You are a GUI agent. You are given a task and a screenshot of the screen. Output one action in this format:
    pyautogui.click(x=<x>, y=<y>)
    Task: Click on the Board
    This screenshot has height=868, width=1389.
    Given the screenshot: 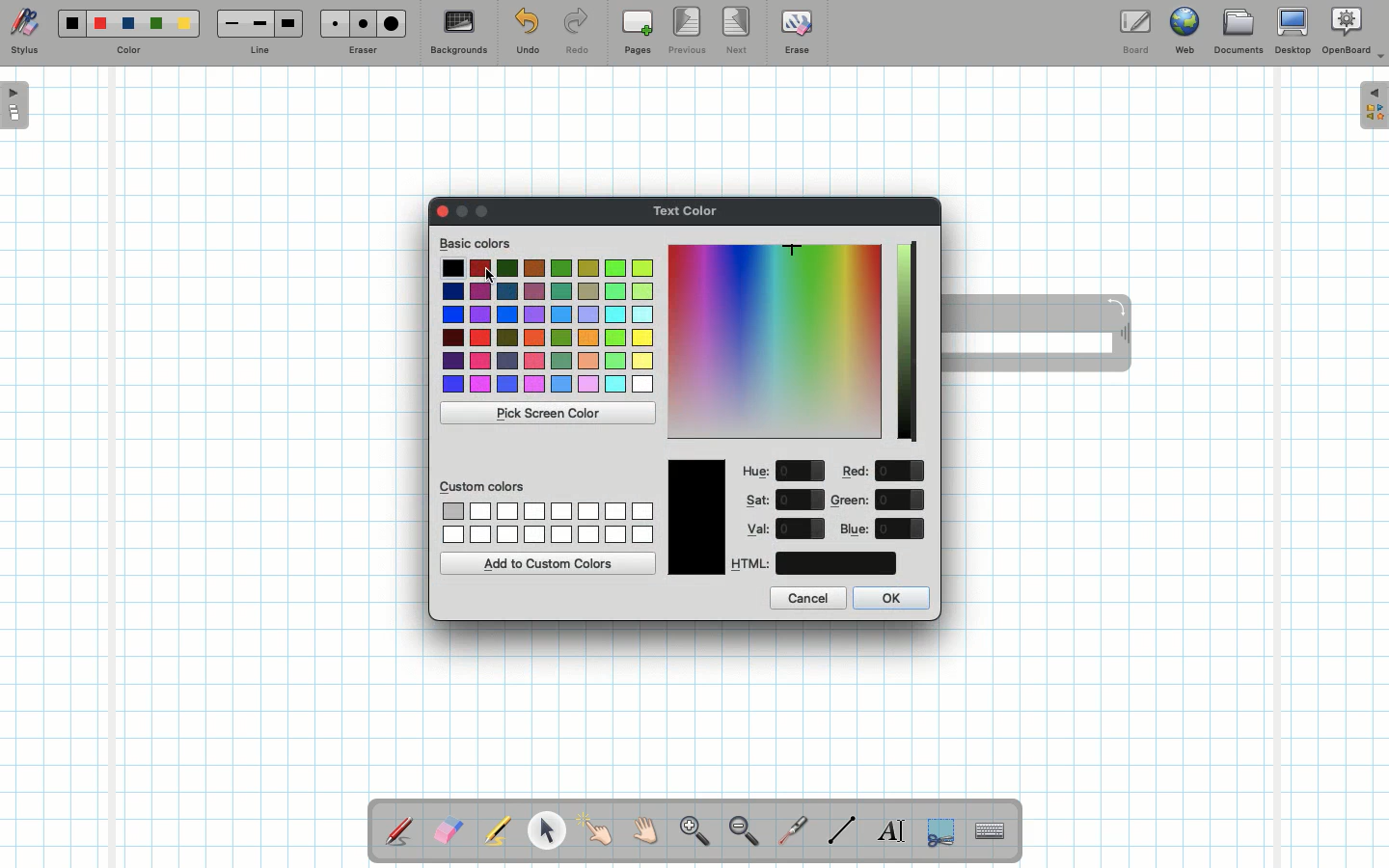 What is the action you would take?
    pyautogui.click(x=1134, y=32)
    